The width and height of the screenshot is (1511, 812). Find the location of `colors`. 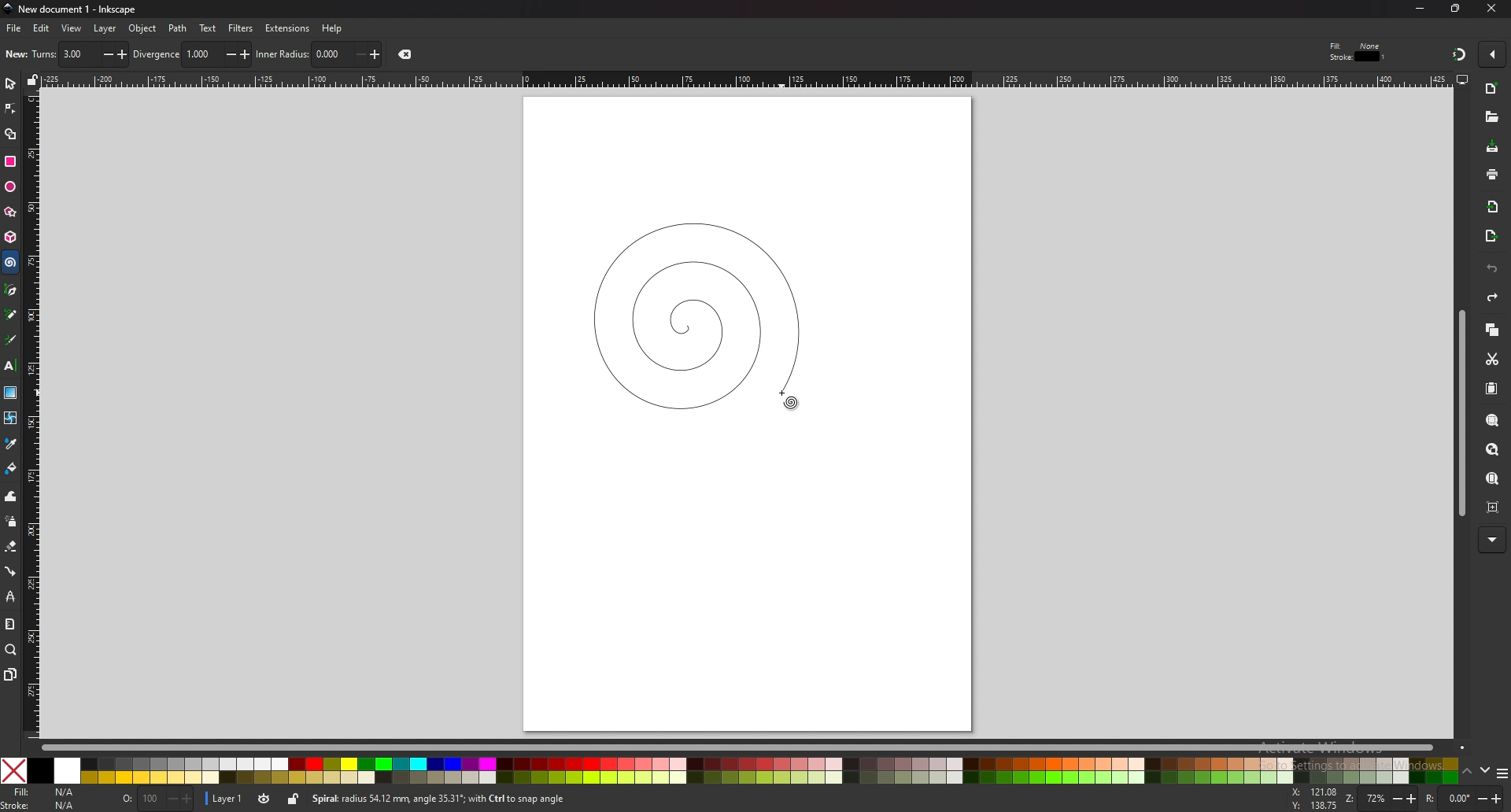

colors is located at coordinates (730, 770).